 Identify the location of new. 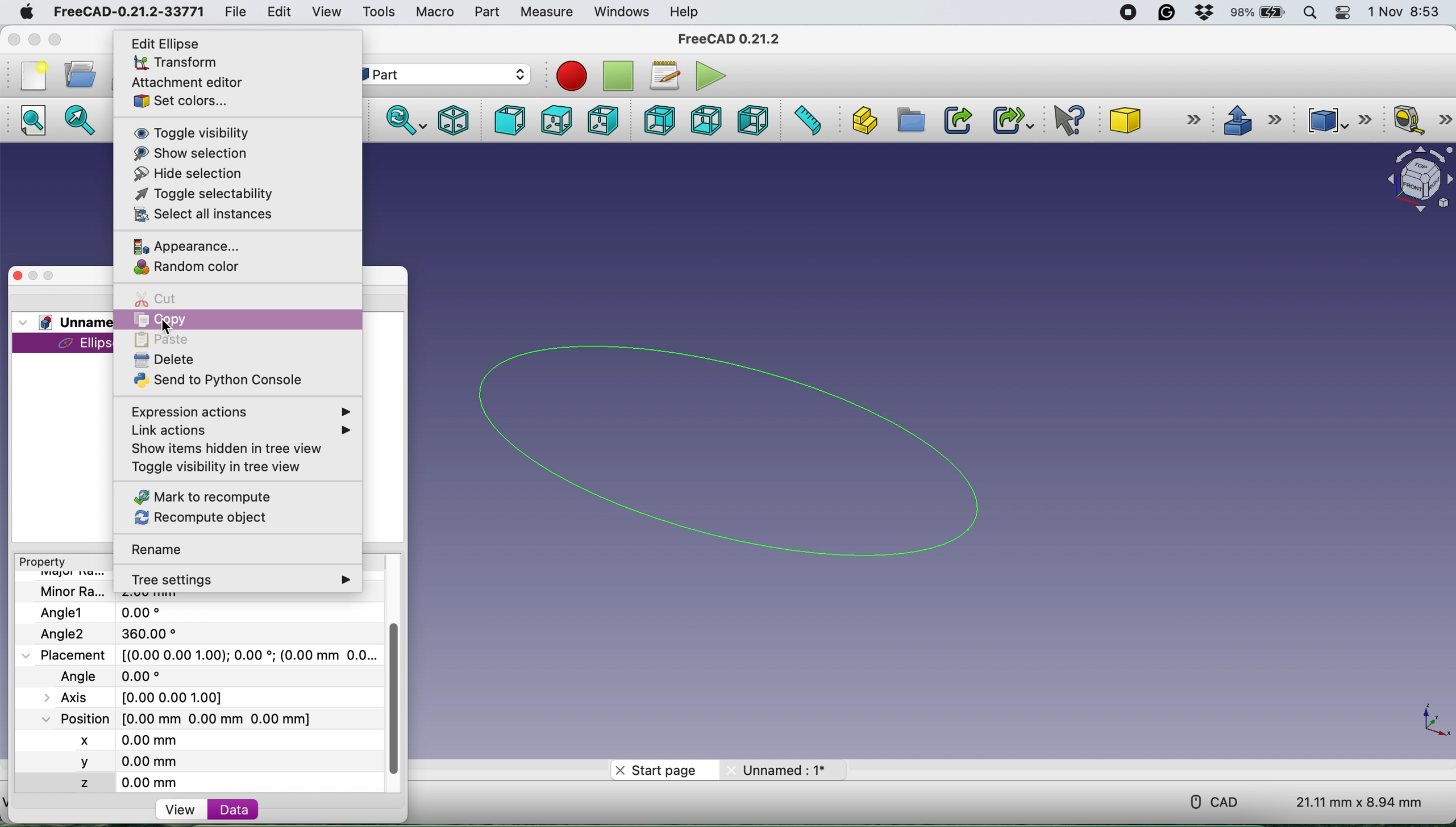
(34, 76).